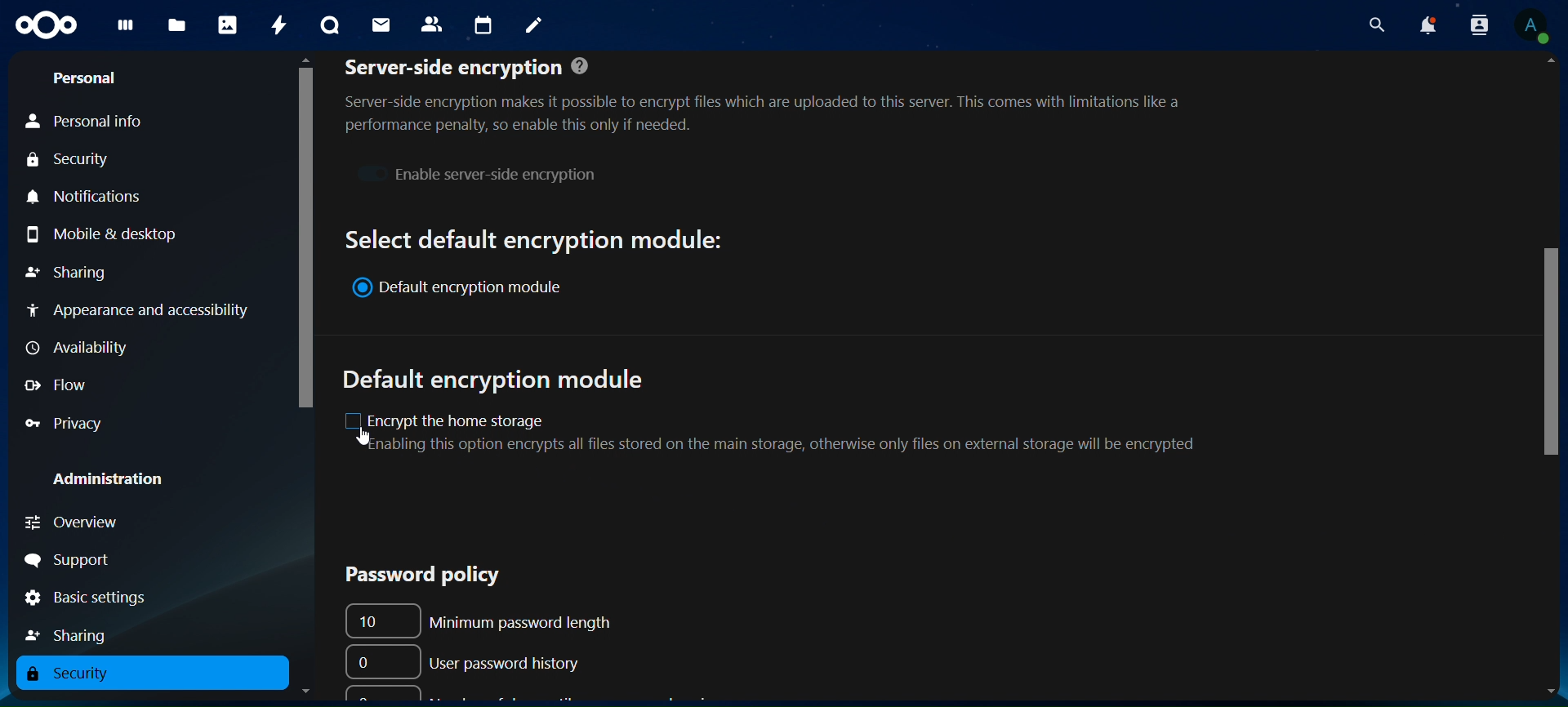  I want to click on mail, so click(381, 23).